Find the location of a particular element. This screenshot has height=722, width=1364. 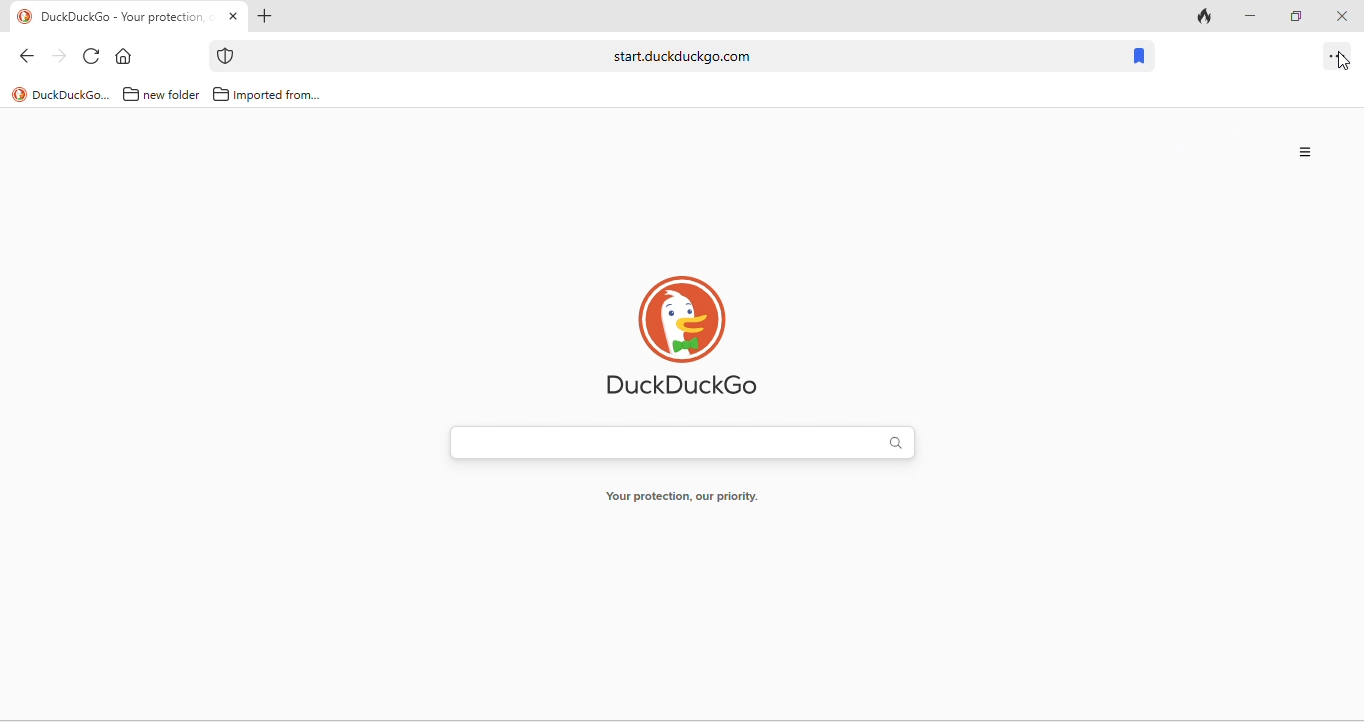

maximize is located at coordinates (1292, 14).